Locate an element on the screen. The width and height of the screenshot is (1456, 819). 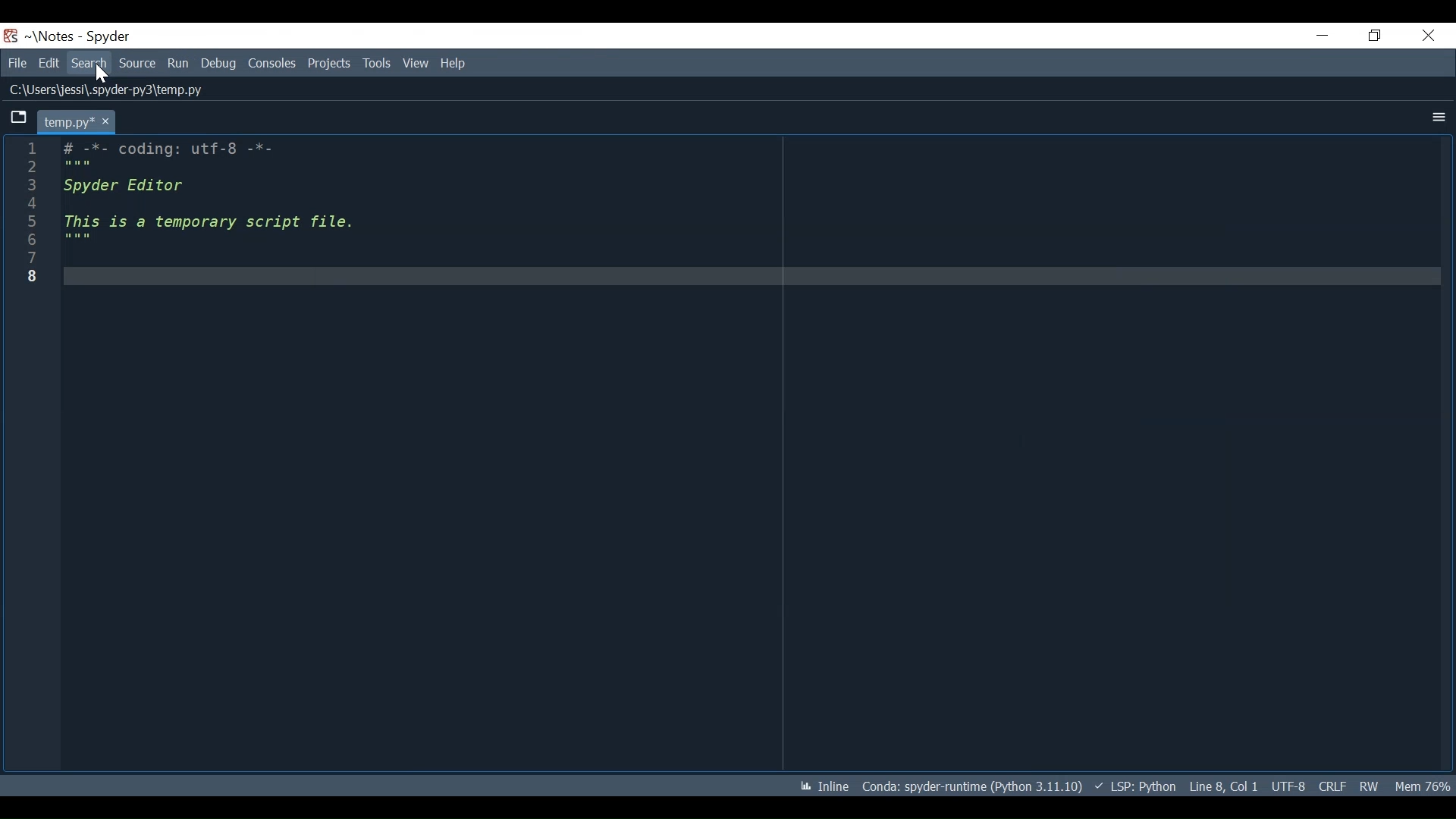
Source is located at coordinates (136, 64).